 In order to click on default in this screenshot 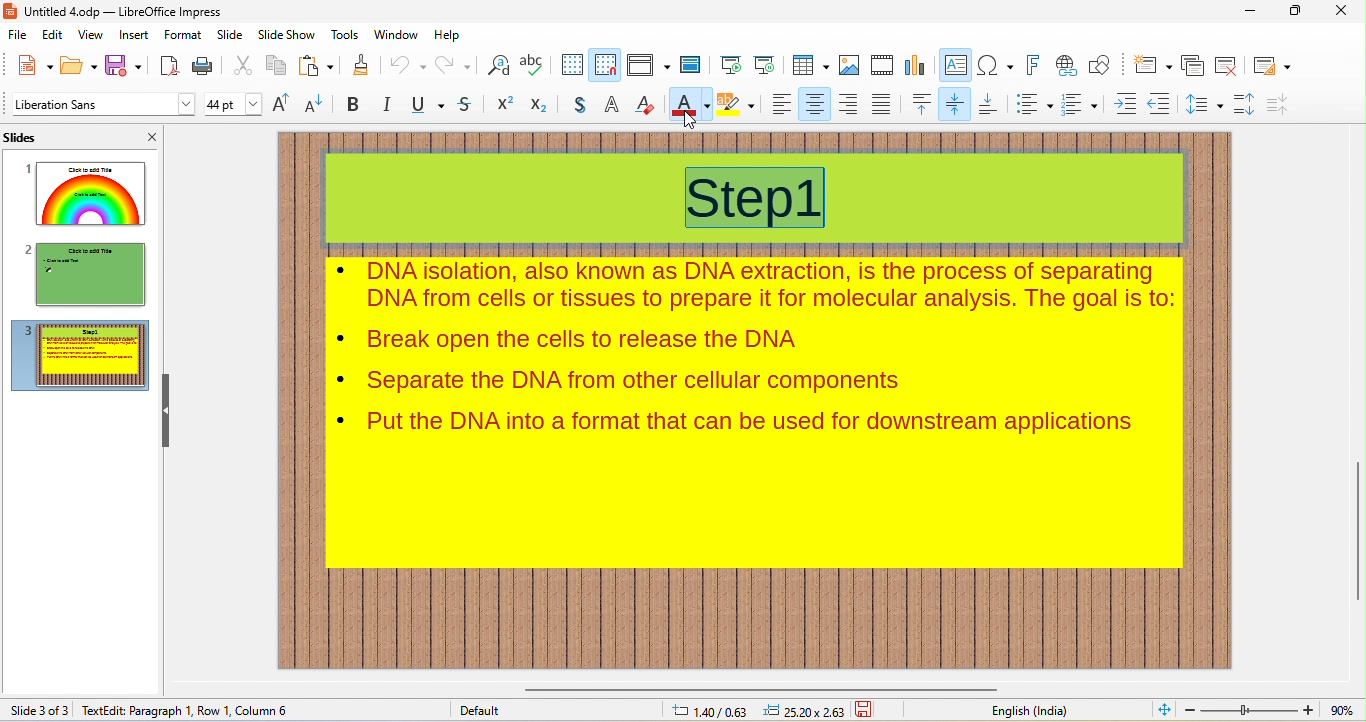, I will do `click(478, 709)`.